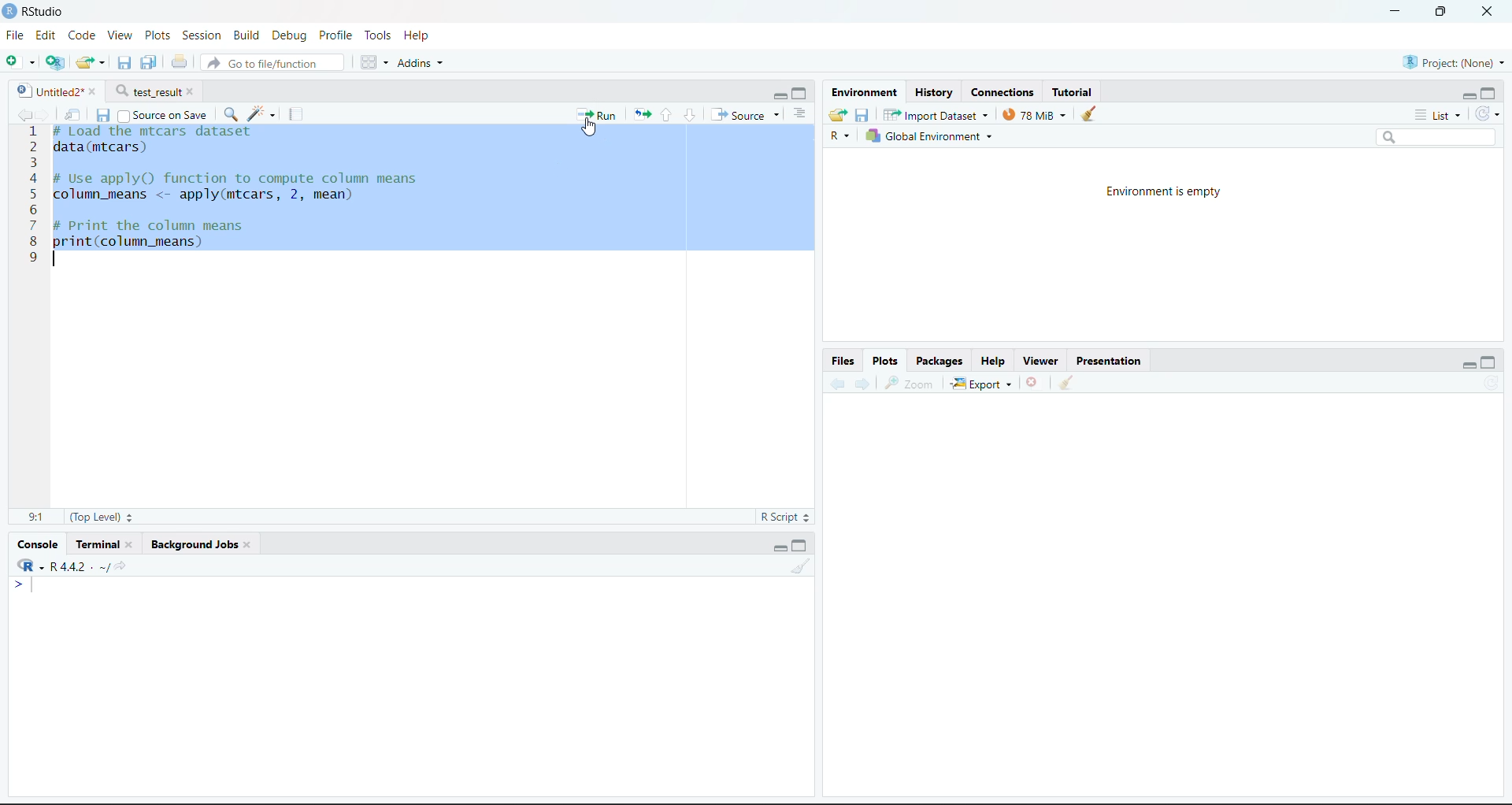 This screenshot has width=1512, height=805. I want to click on Go forward to the next source location (Ctrl + F10), so click(49, 114).